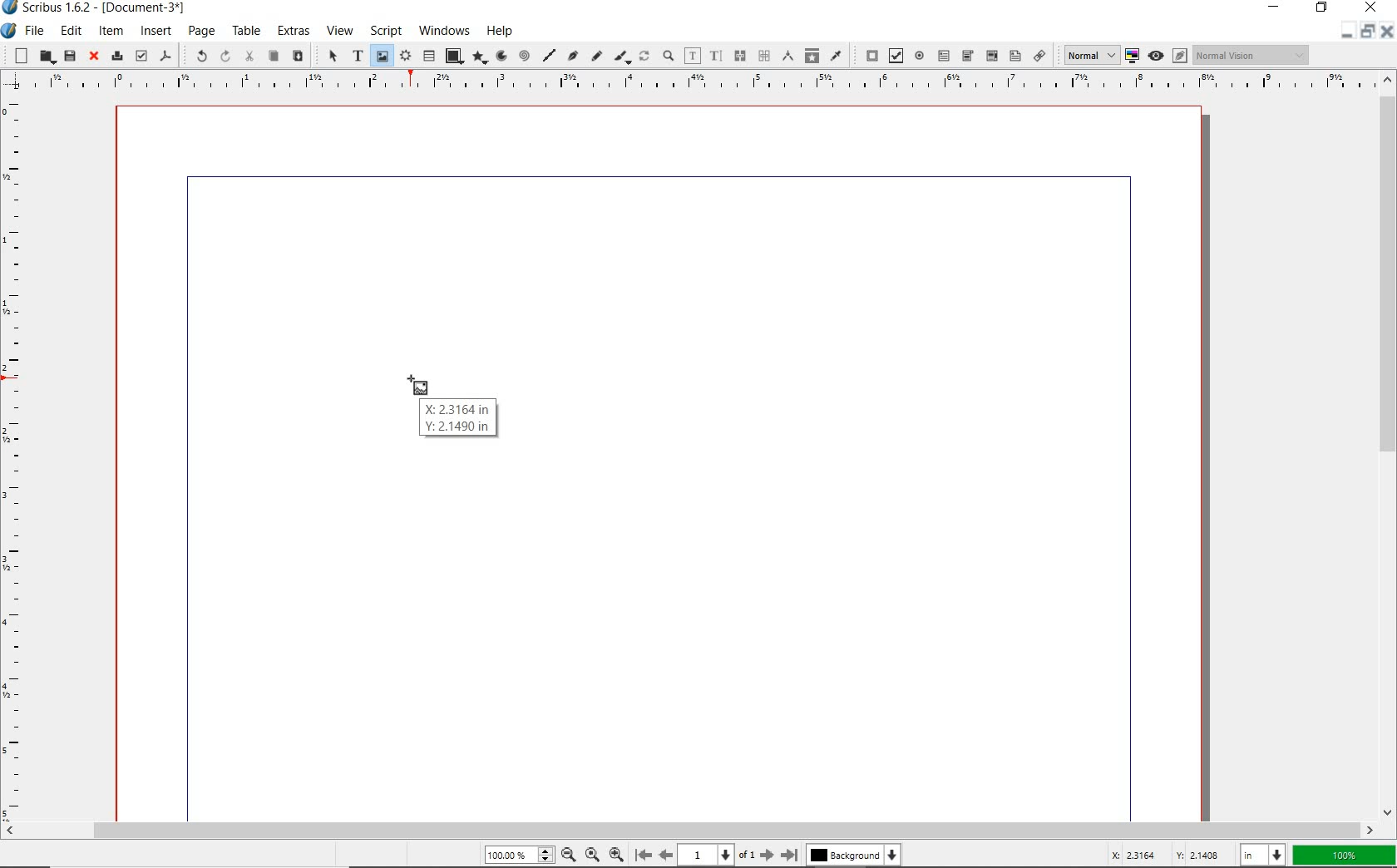 This screenshot has height=868, width=1397. What do you see at coordinates (458, 418) in the screenshot?
I see `X Y COORDINATES` at bounding box center [458, 418].